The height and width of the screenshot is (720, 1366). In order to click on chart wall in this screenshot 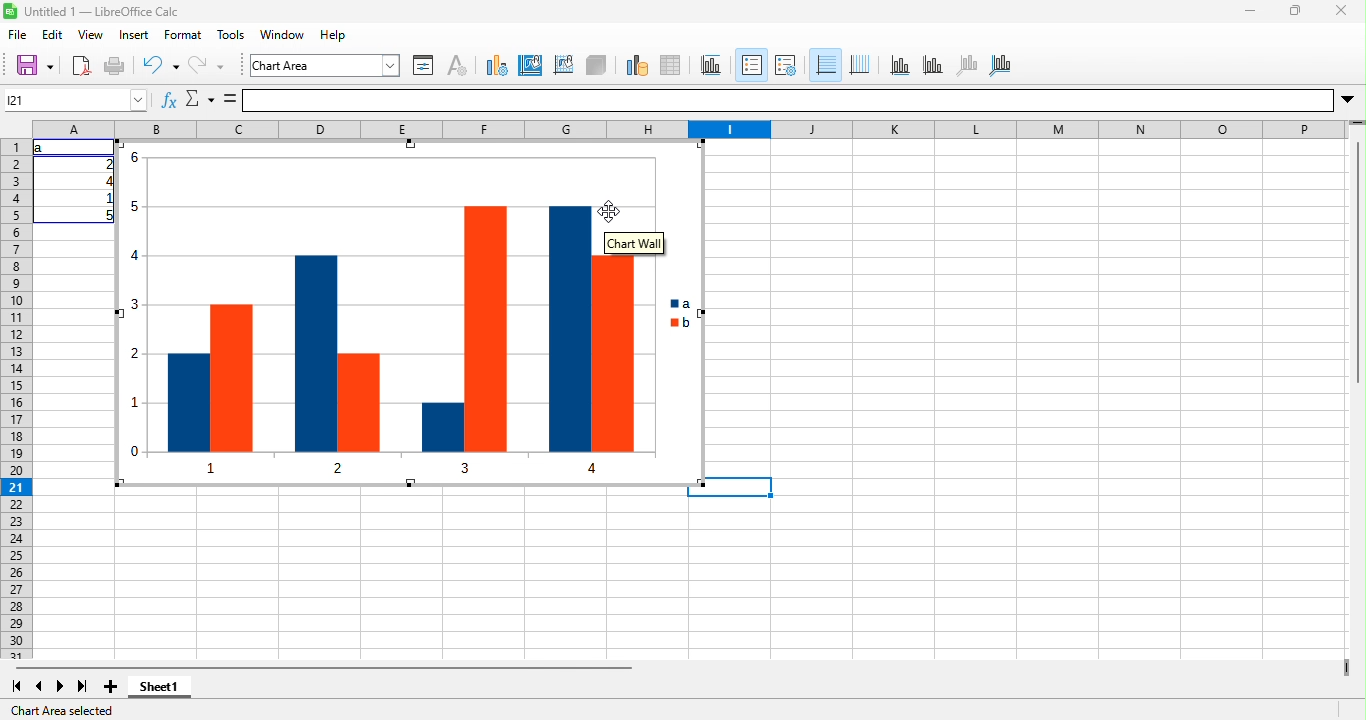, I will do `click(634, 243)`.